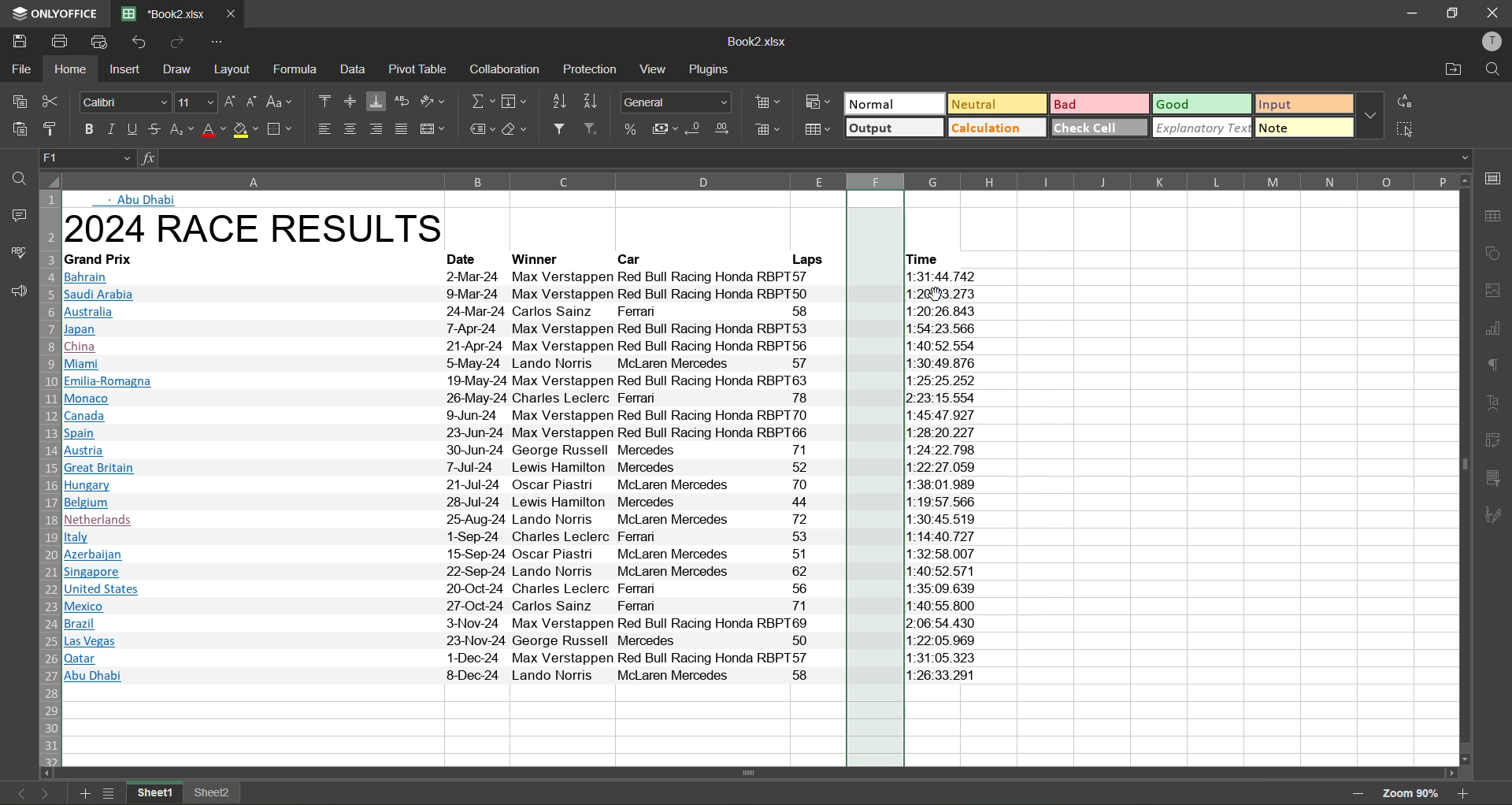  I want to click on replace, so click(1408, 103).